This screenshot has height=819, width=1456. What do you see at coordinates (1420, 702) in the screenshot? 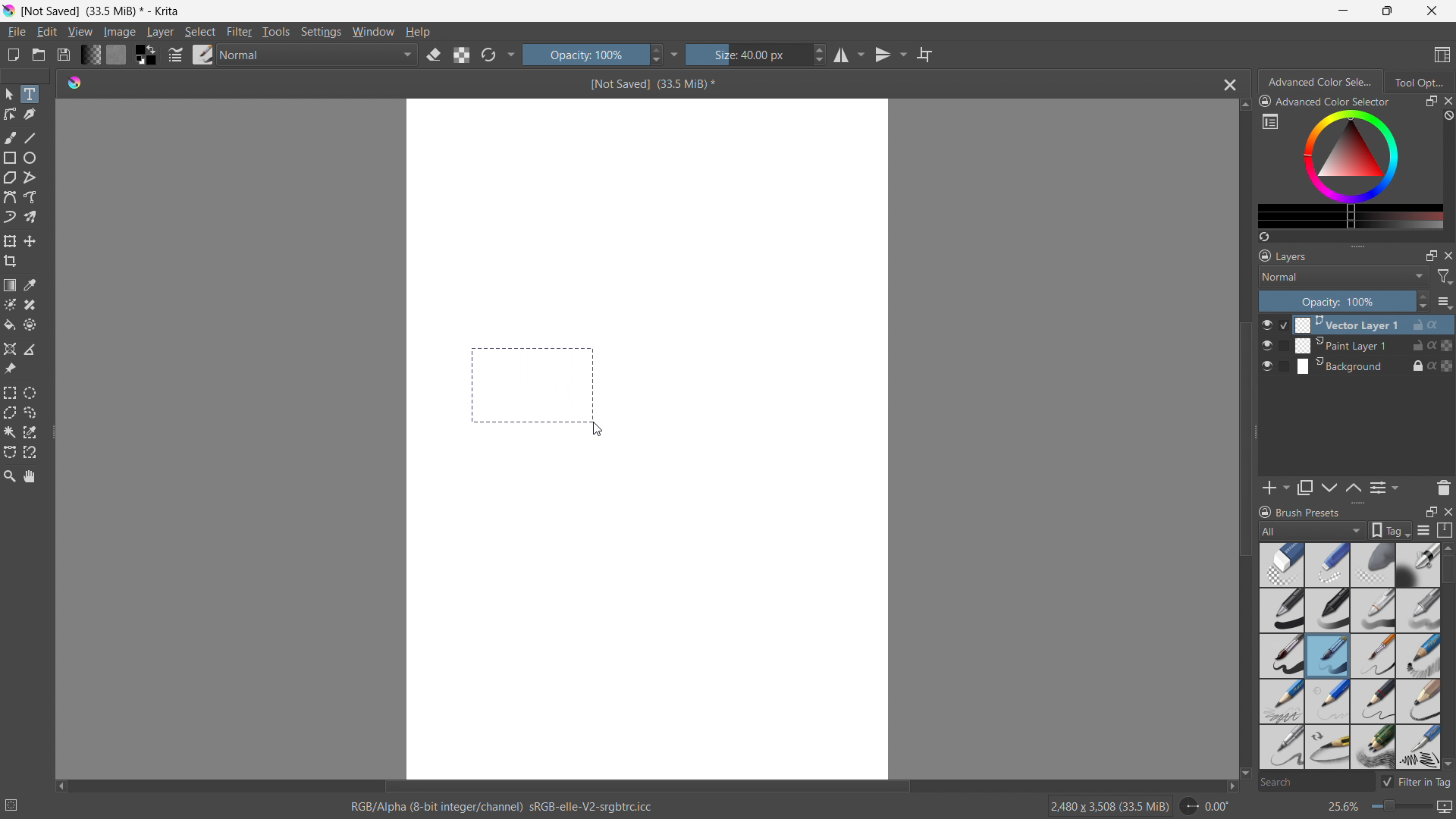
I see `bold pencil` at bounding box center [1420, 702].